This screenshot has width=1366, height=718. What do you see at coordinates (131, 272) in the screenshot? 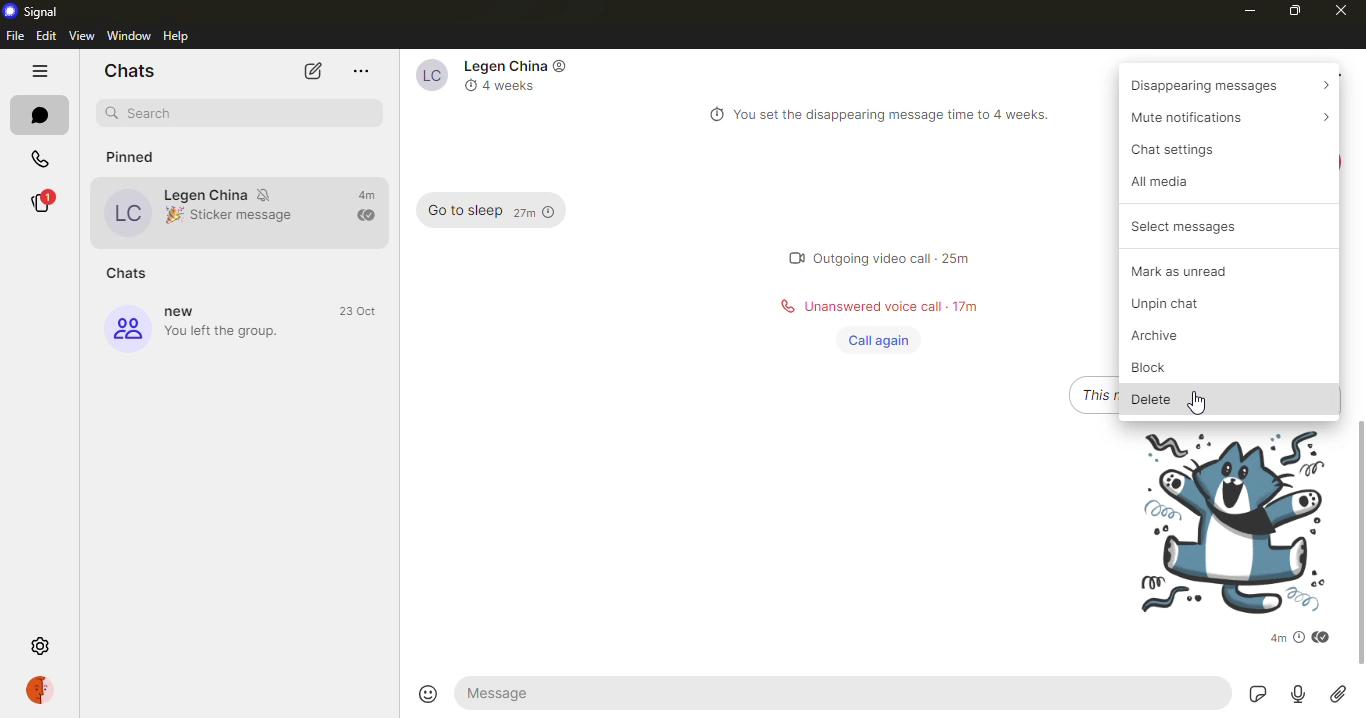
I see `chats` at bounding box center [131, 272].